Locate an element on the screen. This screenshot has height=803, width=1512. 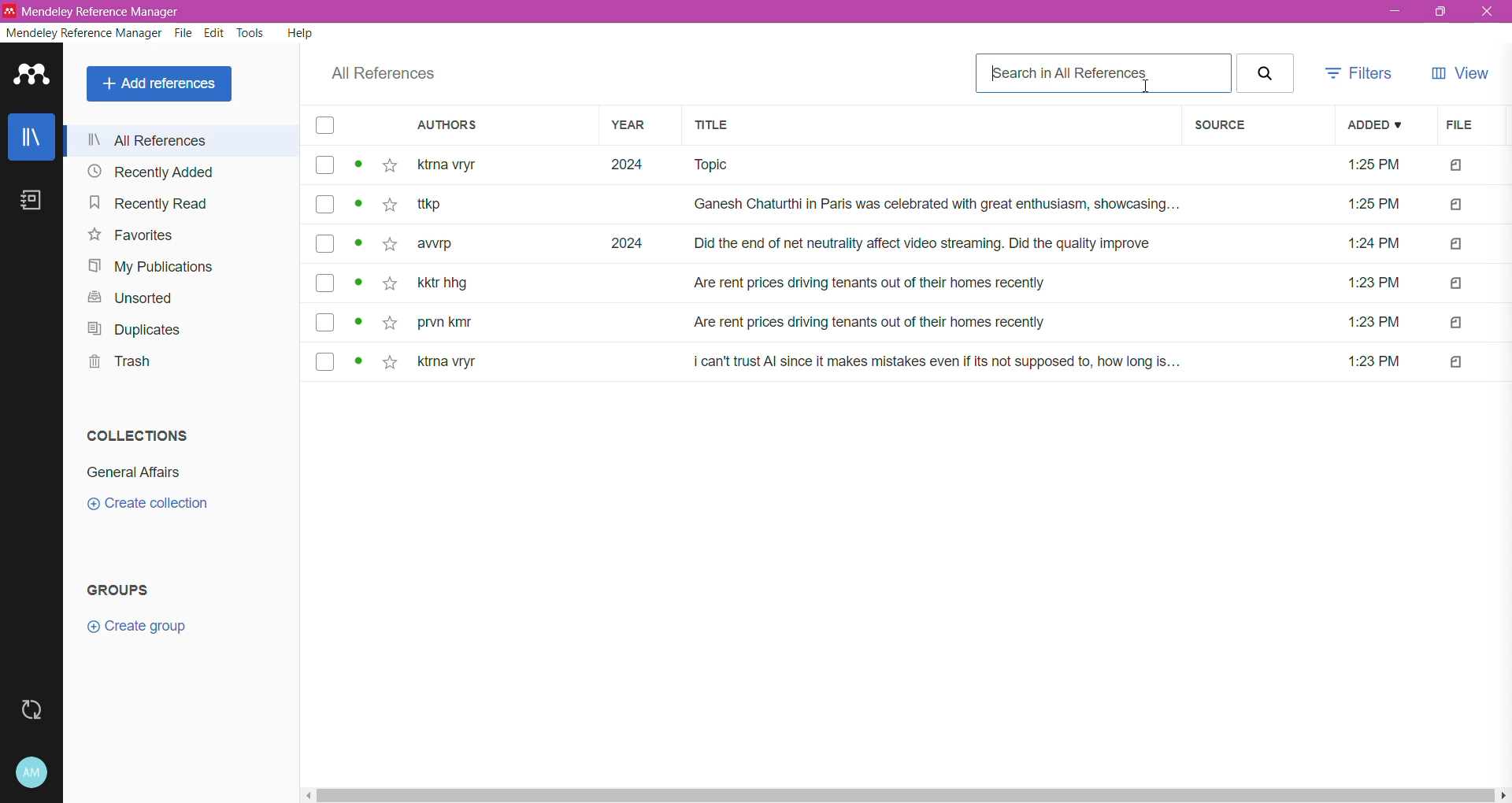
7 kta vryr 2024 Topic 1:25PM is located at coordinates (917, 168).